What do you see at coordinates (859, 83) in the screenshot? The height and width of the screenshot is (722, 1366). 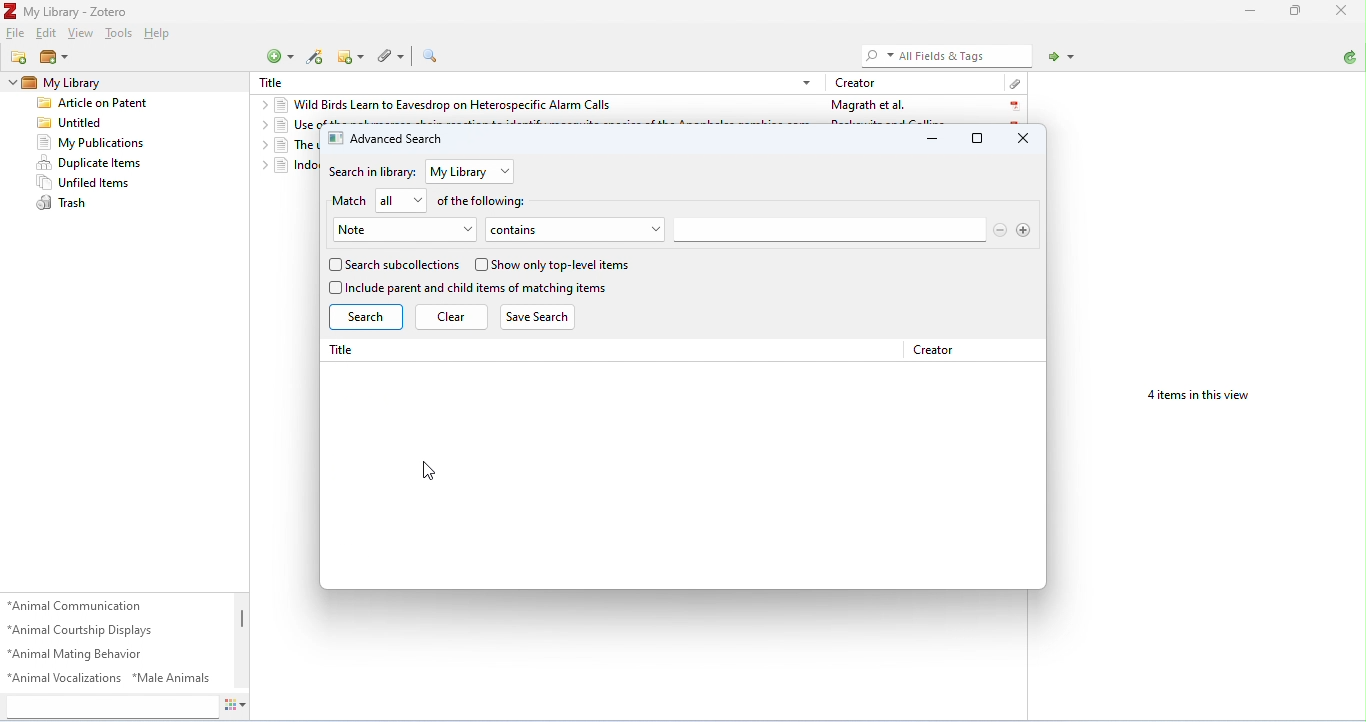 I see `creator` at bounding box center [859, 83].